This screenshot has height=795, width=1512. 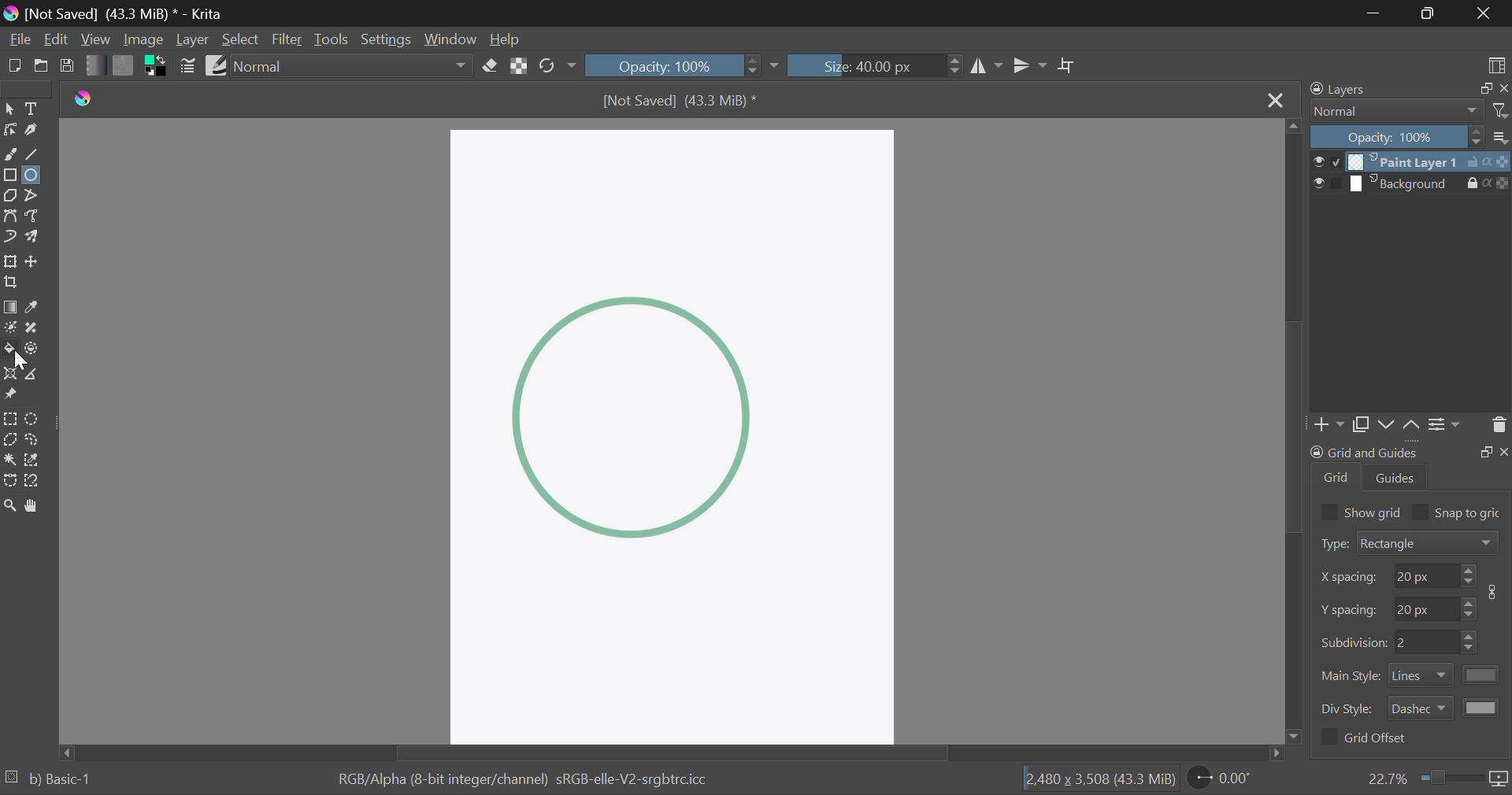 What do you see at coordinates (684, 65) in the screenshot?
I see `Opacity` at bounding box center [684, 65].